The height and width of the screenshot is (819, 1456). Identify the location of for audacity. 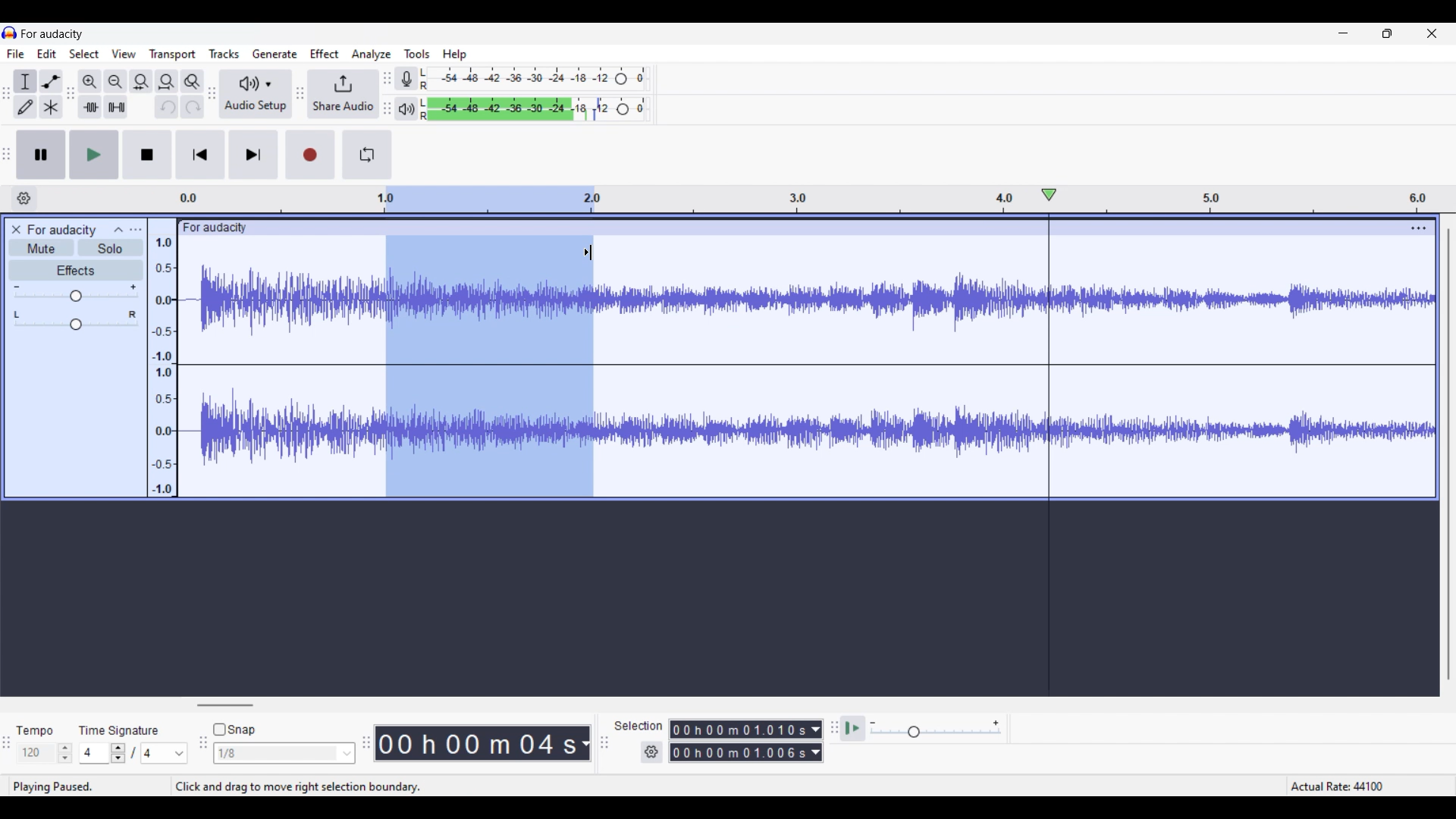
(64, 230).